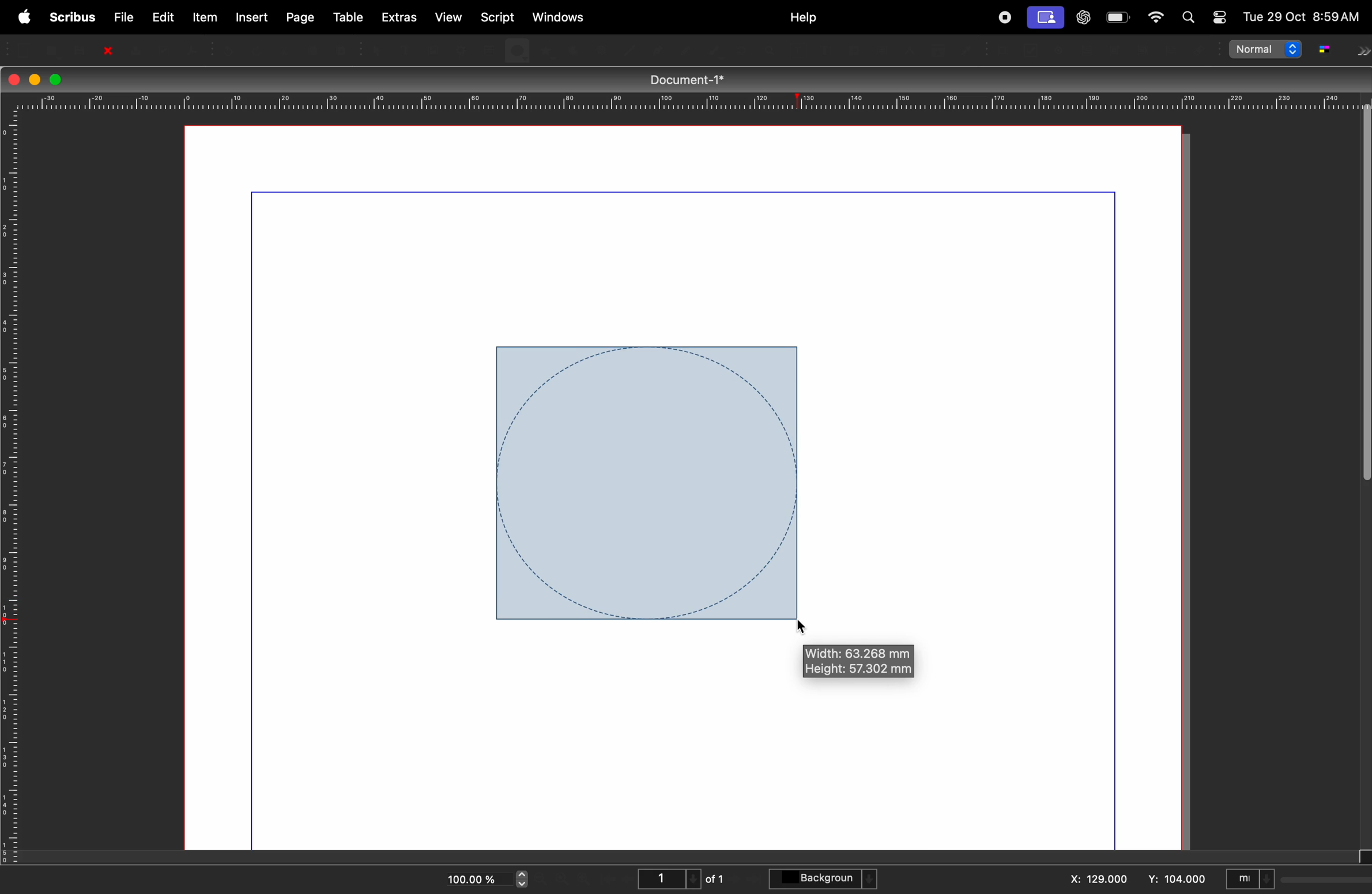 The height and width of the screenshot is (894, 1372). I want to click on insert, so click(251, 17).